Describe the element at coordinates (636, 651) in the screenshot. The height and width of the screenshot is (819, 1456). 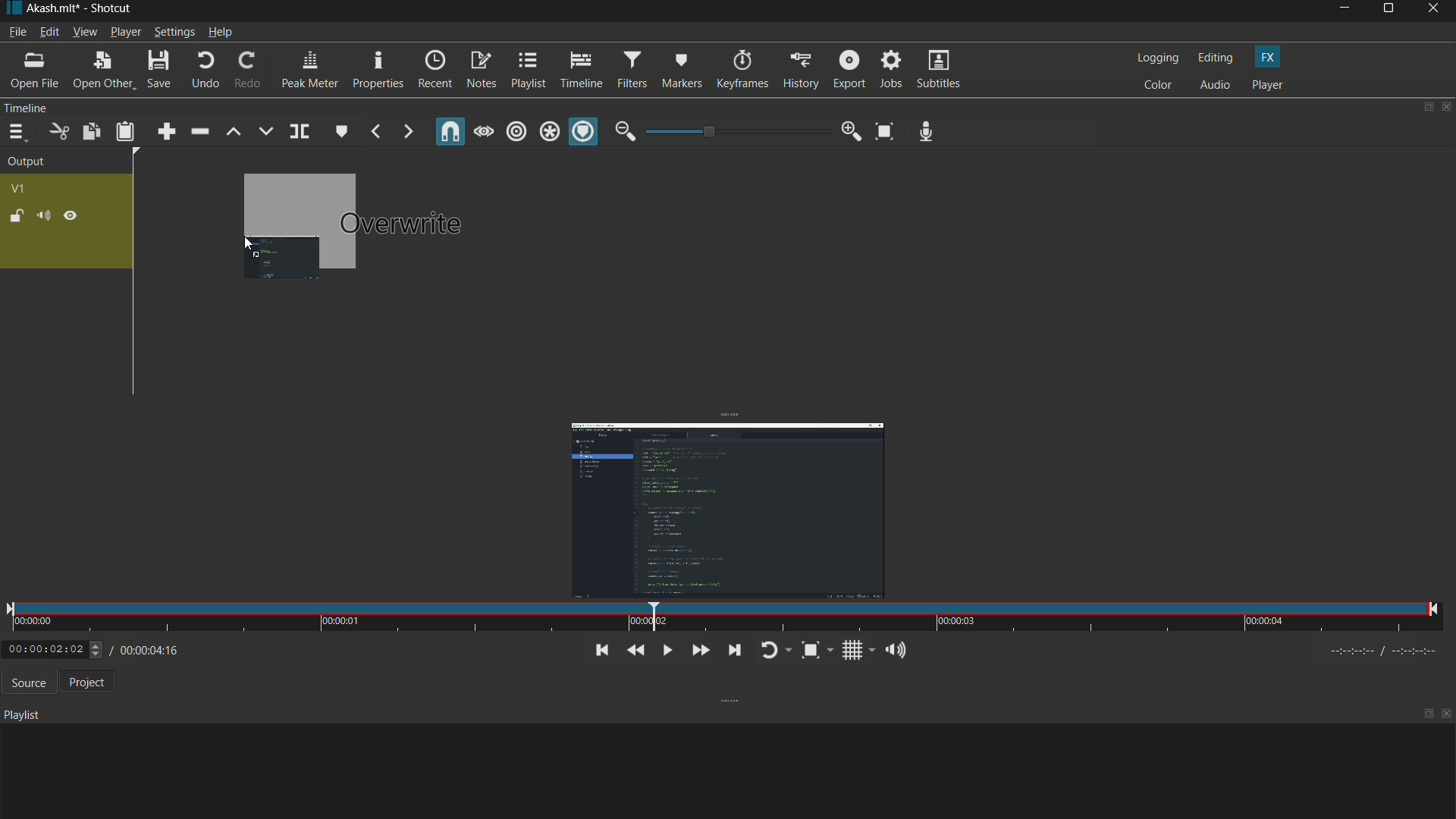
I see `quickly play backward` at that location.